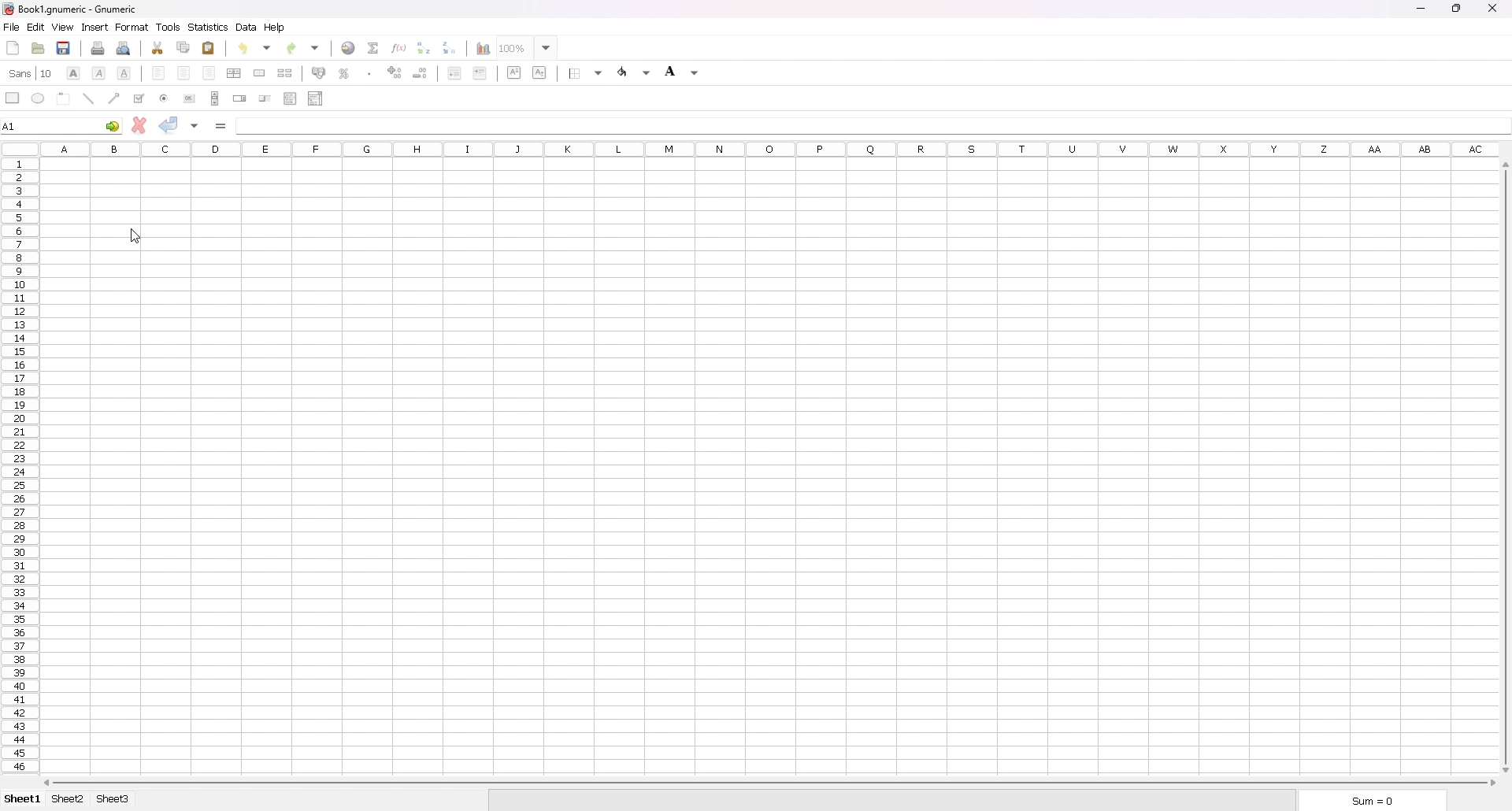 This screenshot has height=811, width=1512. I want to click on new, so click(13, 47).